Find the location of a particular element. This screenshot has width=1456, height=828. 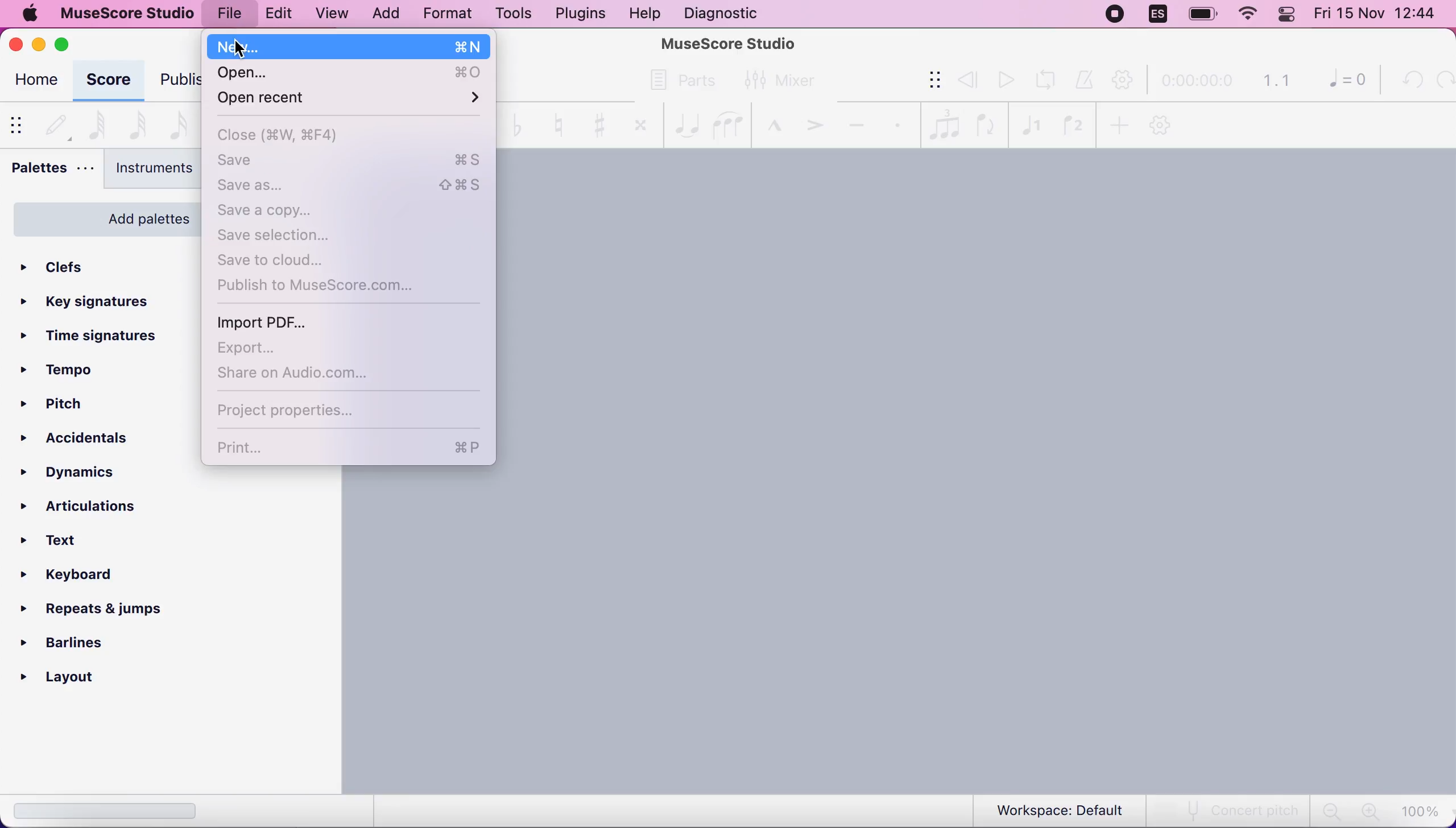

panel control is located at coordinates (1289, 15).